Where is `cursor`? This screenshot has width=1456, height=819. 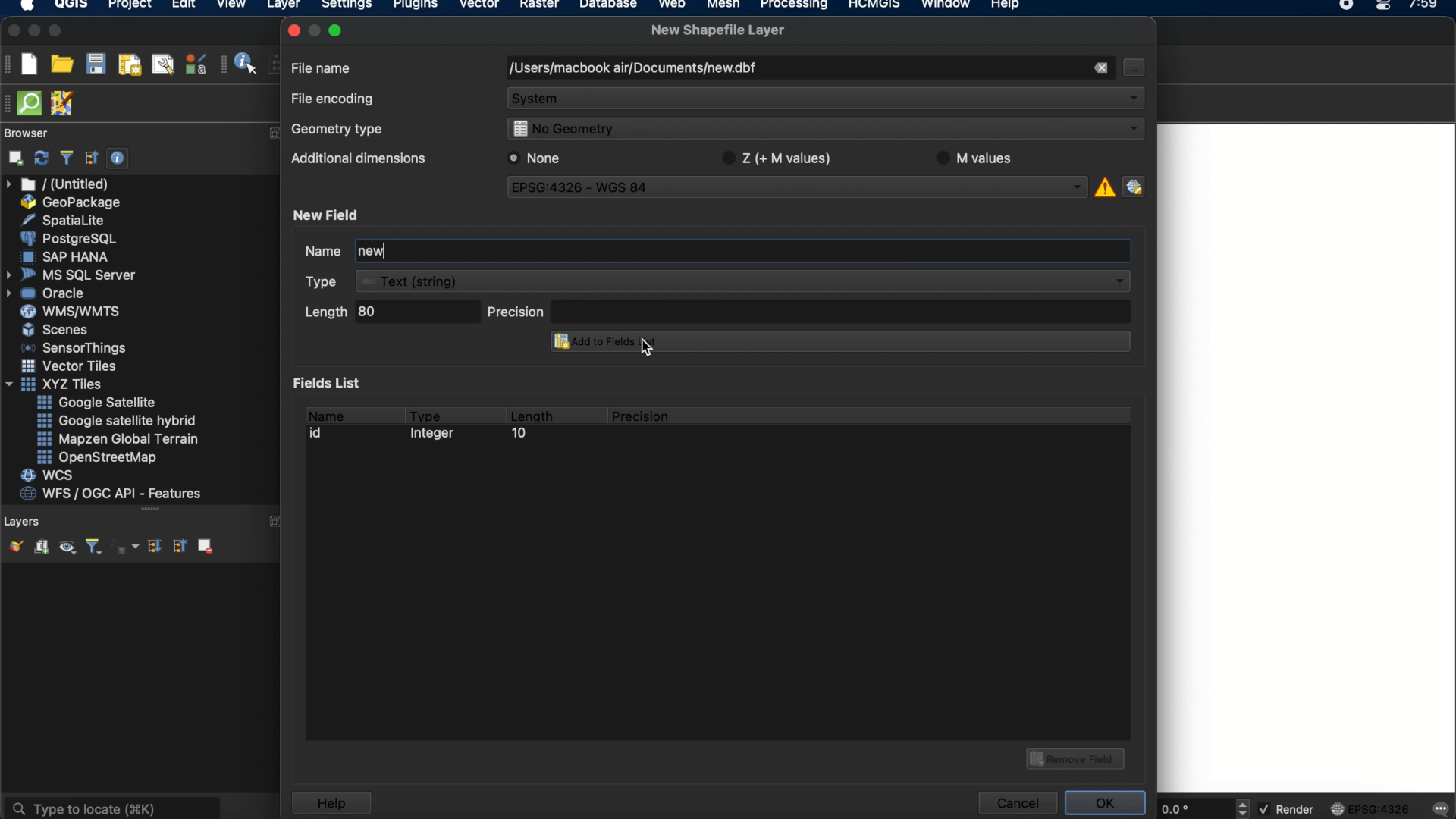 cursor is located at coordinates (1132, 67).